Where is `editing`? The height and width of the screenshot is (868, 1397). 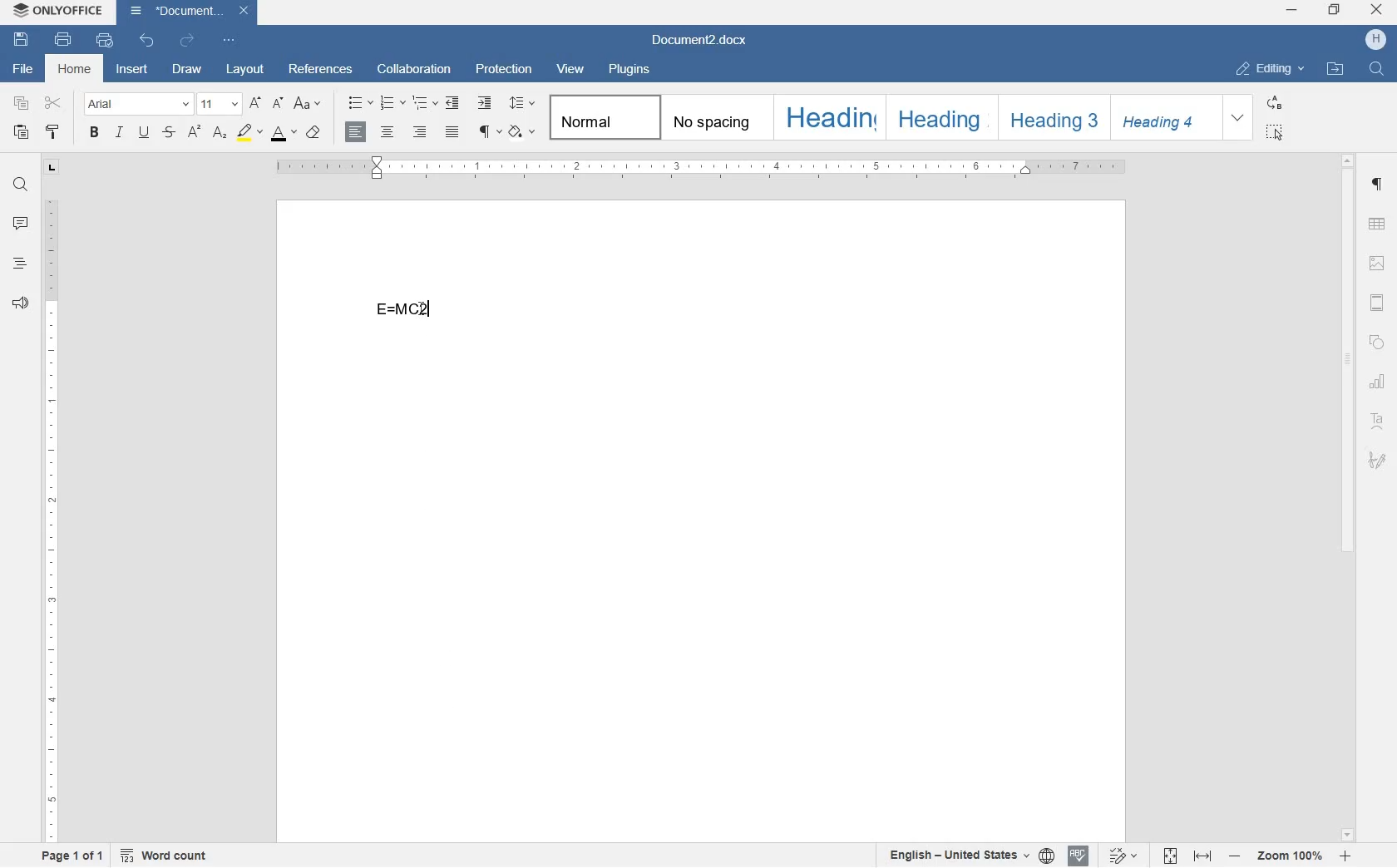
editing is located at coordinates (1268, 69).